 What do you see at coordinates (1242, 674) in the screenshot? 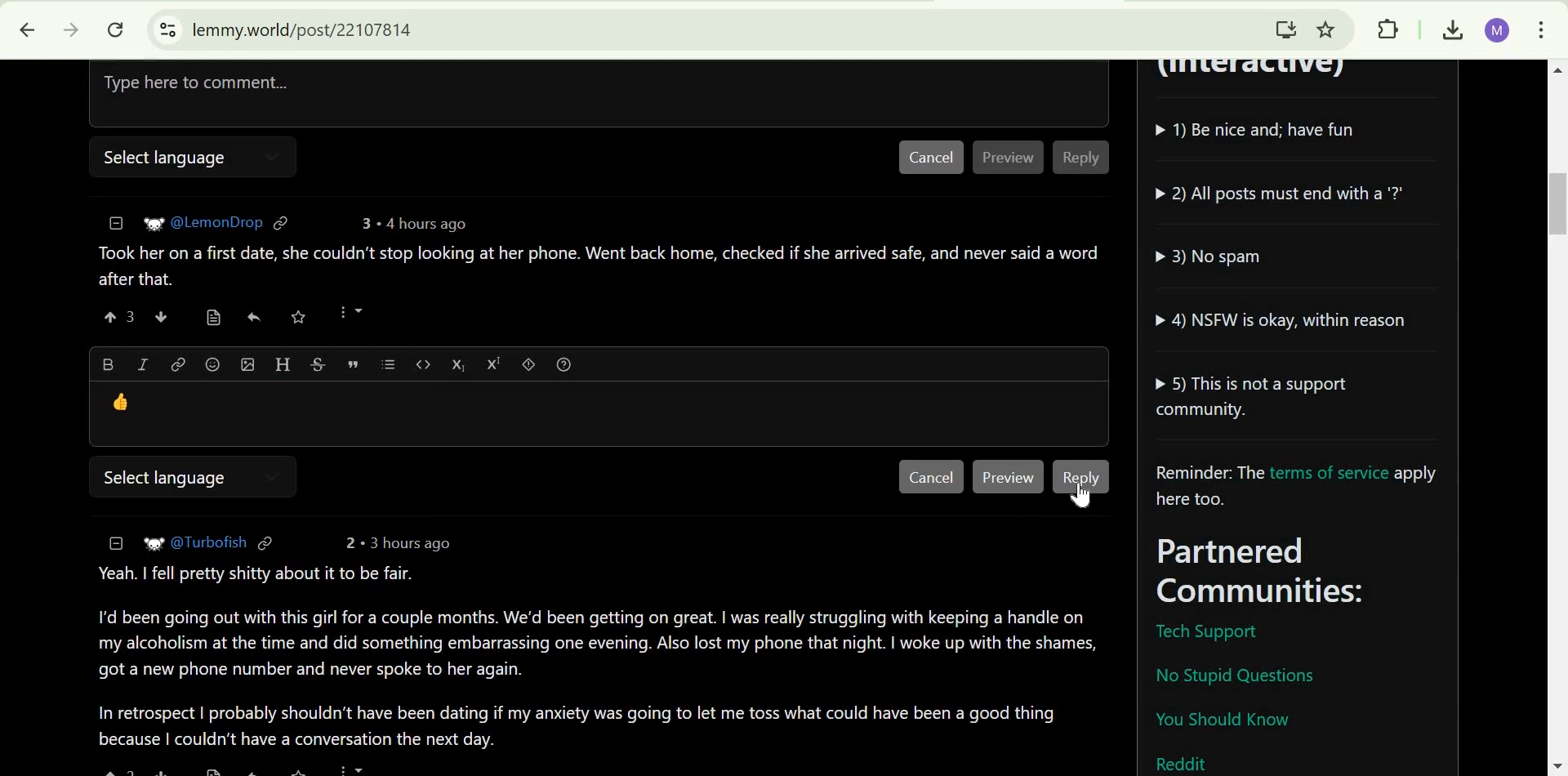
I see `No Stupid Question` at bounding box center [1242, 674].